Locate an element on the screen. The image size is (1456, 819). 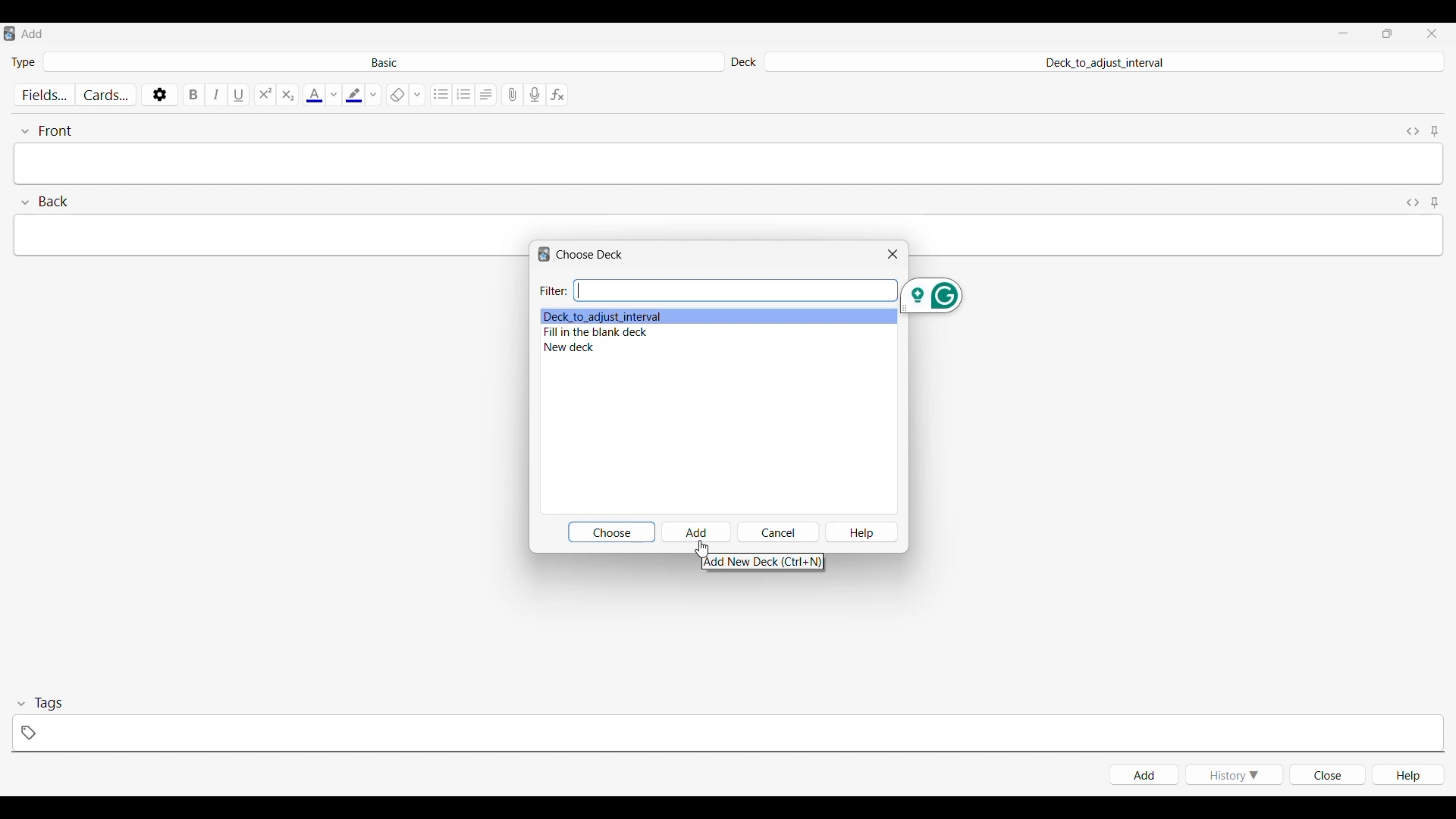
Deck is located at coordinates (598, 331).